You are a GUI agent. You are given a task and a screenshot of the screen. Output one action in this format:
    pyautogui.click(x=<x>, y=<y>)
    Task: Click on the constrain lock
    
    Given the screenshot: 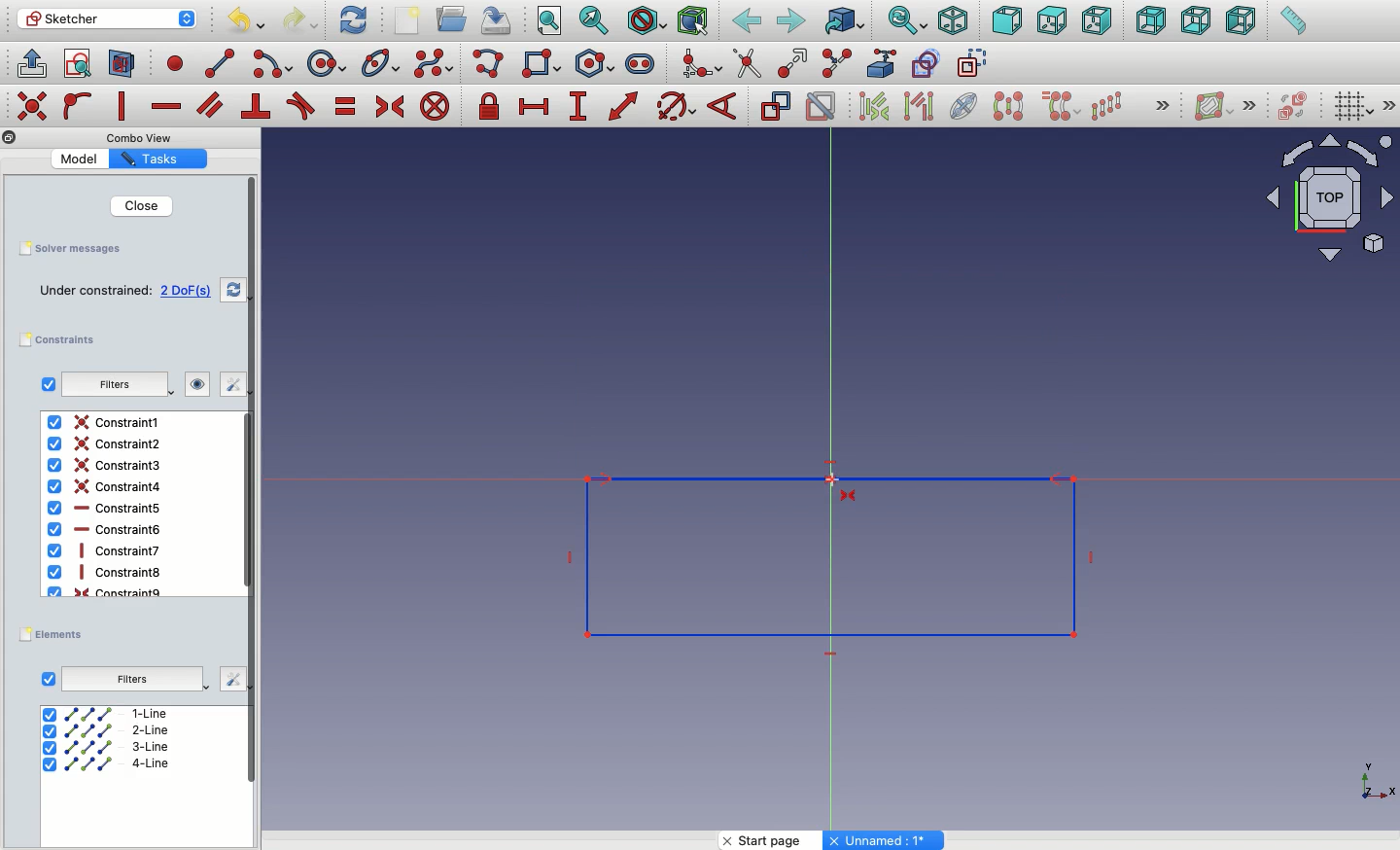 What is the action you would take?
    pyautogui.click(x=492, y=108)
    